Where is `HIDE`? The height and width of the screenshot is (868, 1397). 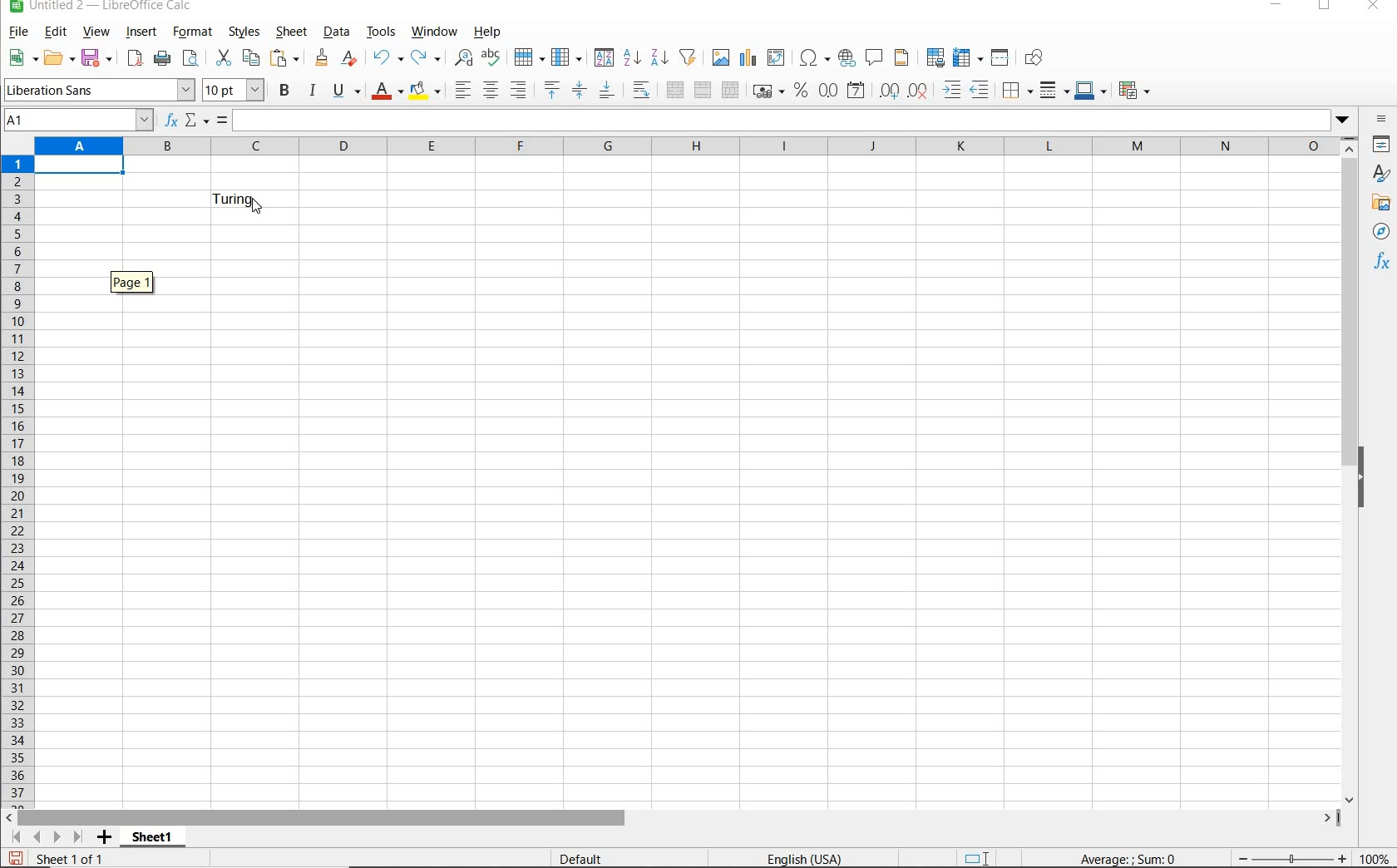
HIDE is located at coordinates (1365, 480).